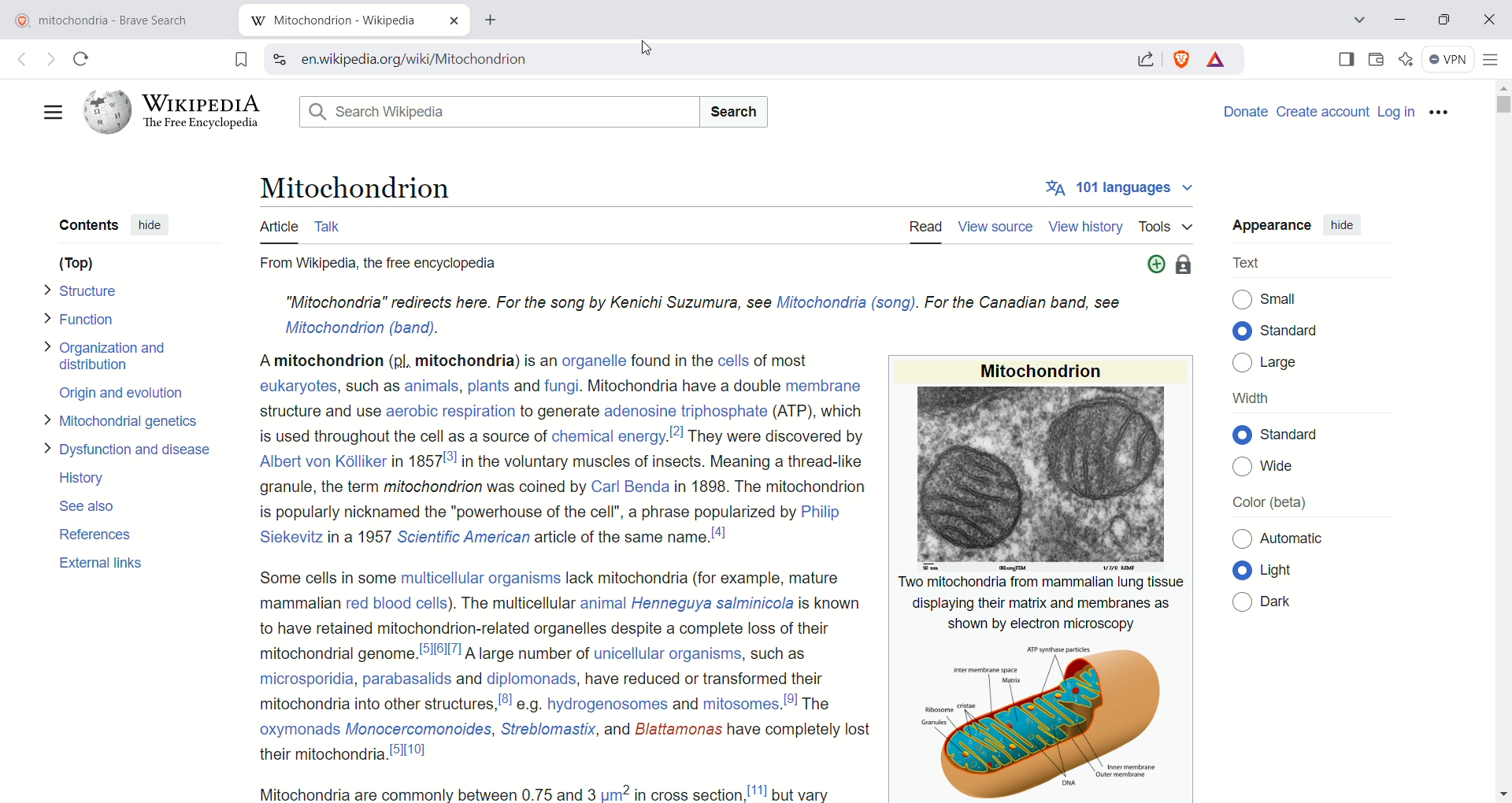  Describe the element at coordinates (552, 453) in the screenshot. I see `A mitochondrion (pl. mitochondria) is an organelle found in the cells of mosteukaryotes, such as animals, plants and fungi. Mitochondria have a double membranestructure and use aerobic respiration to generate adenosine triphosphate (ATP), whichis used throughout the cell as a source of chemical energy. They were discovered byAlbert von Klliker in 185713] in the voluntary muscles of insects. Meaning a thread-likegranule, the term mitochondrion was coined by Carl Benda in 1898. The mitochondrionis popularly nicknamed the "powerhouse of the cell”, a phrase popularized by PhilipSiekevitz in a 1957 Scientific American article of the same name.` at that location.